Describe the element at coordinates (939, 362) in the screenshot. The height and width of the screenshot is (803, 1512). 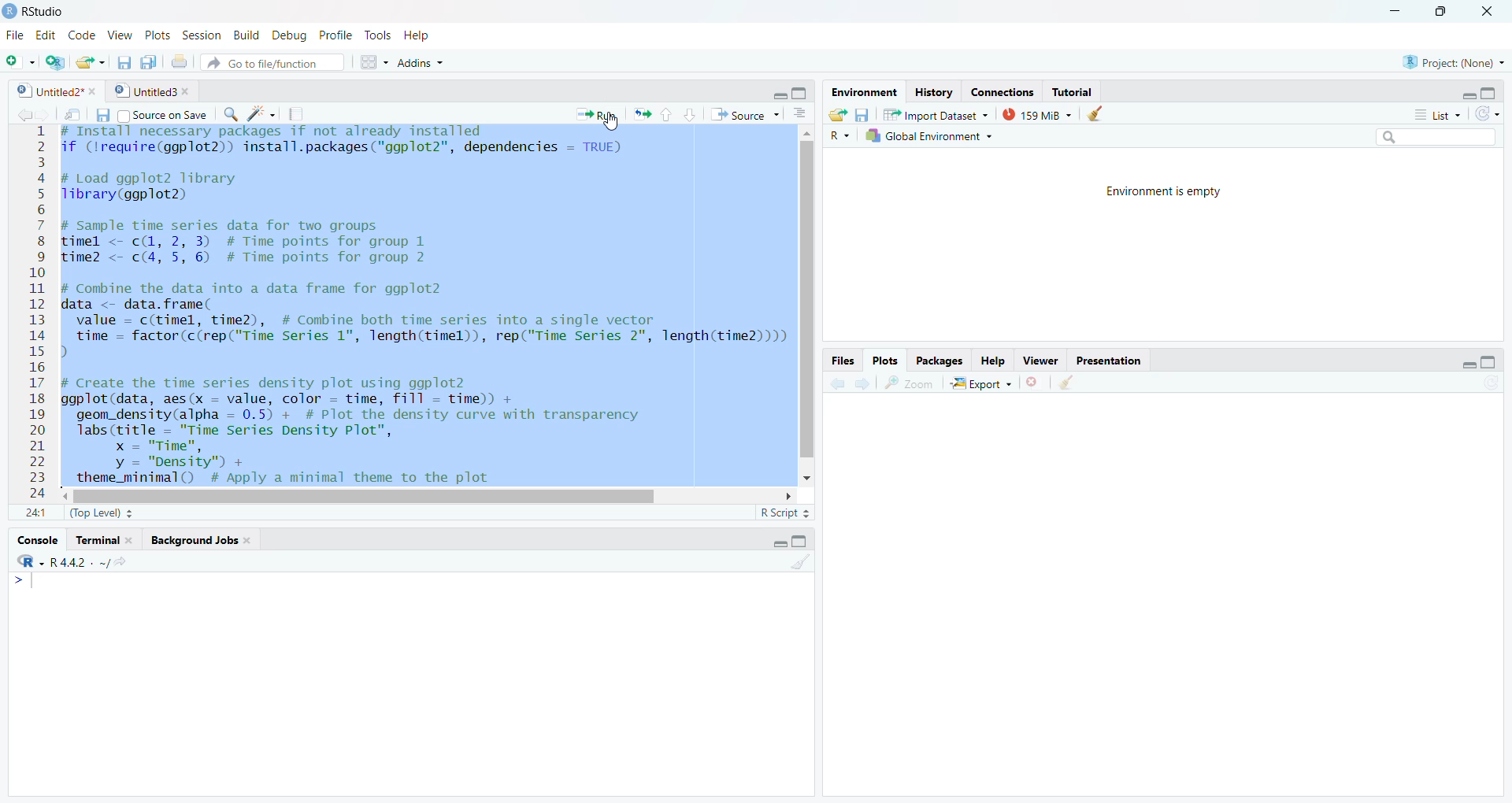
I see `Packages` at that location.